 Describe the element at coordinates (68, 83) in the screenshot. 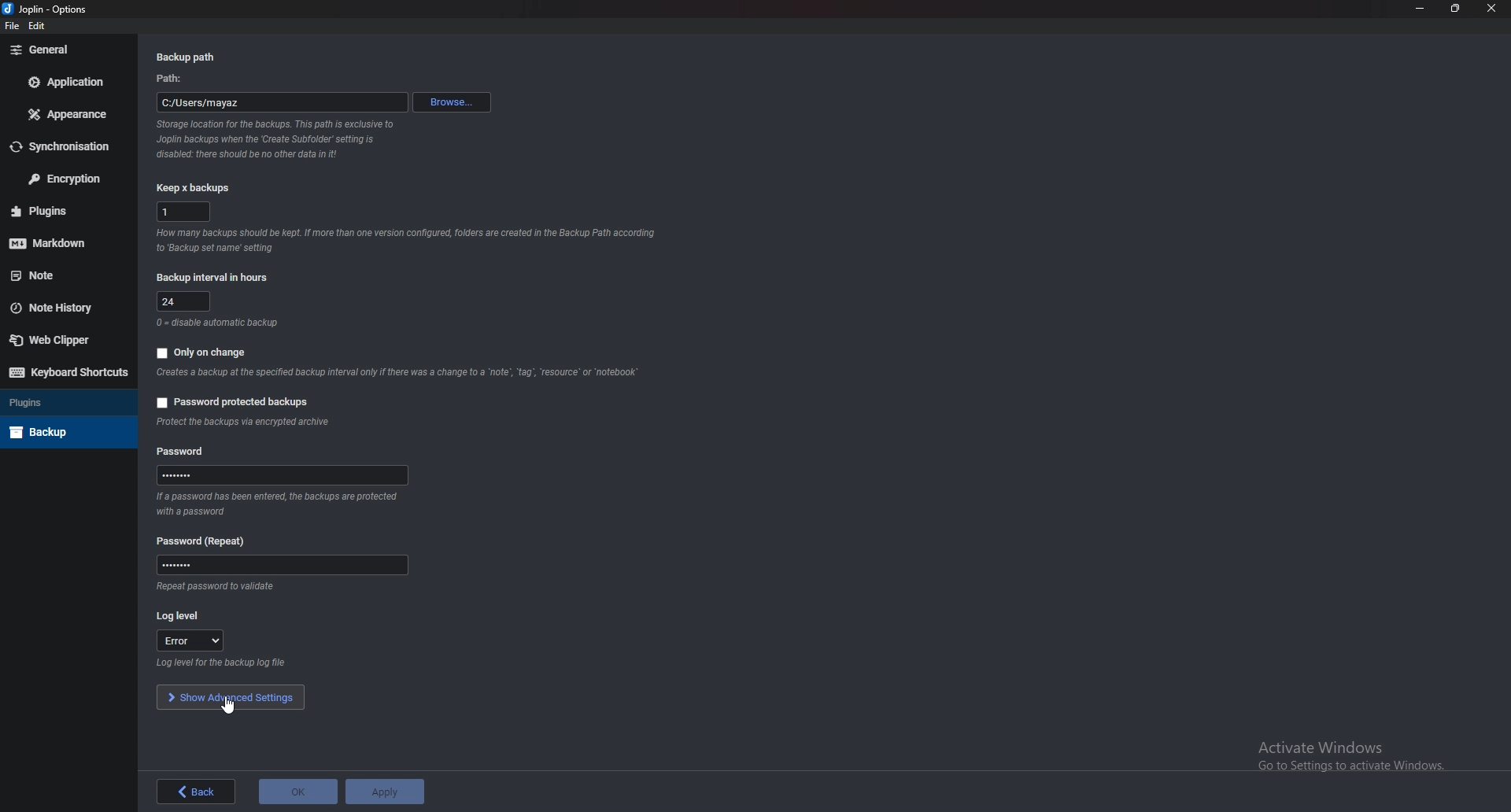

I see `Application` at that location.